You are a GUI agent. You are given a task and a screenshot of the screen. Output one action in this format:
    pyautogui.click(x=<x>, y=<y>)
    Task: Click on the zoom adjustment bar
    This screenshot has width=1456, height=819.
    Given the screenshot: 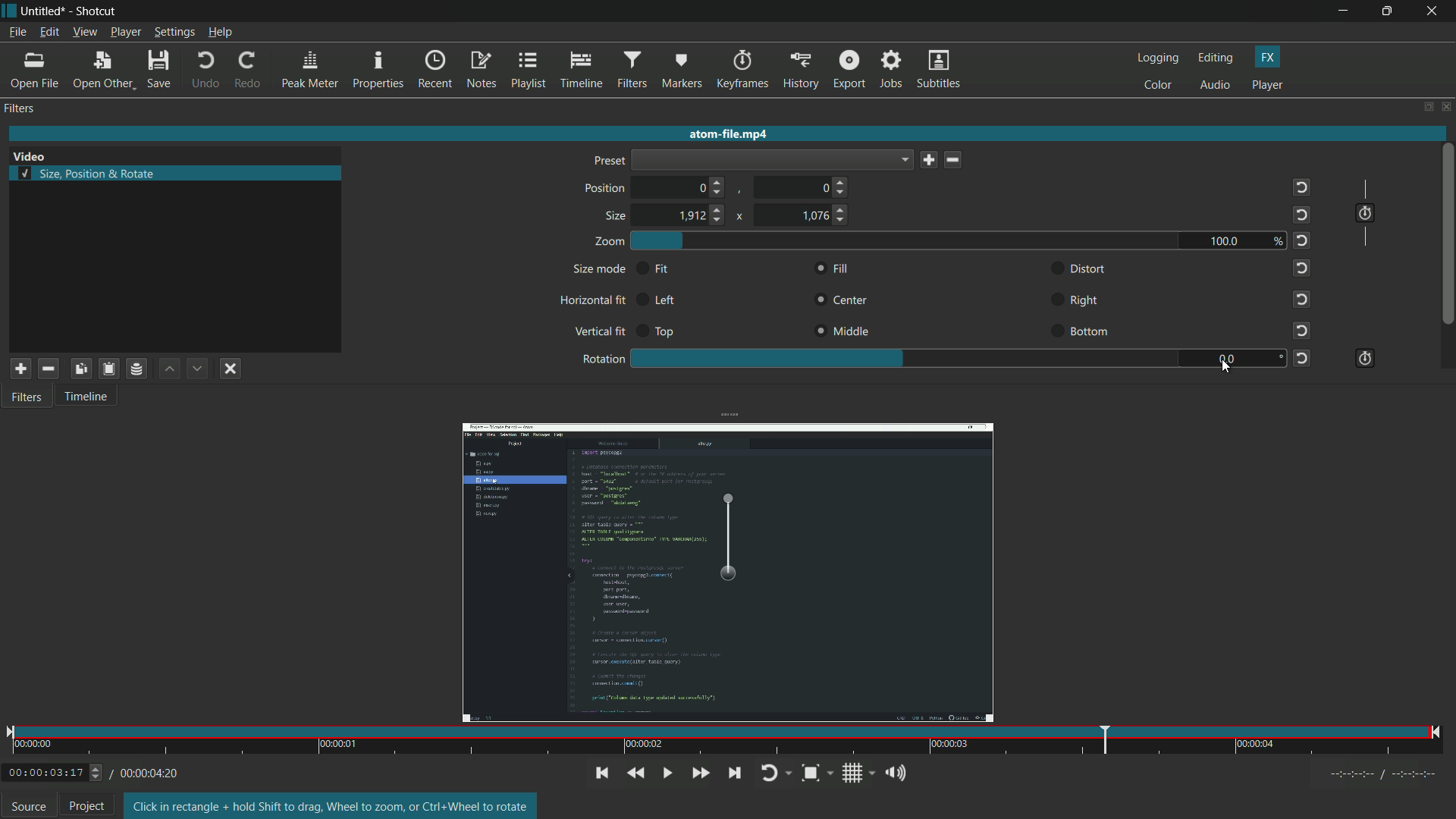 What is the action you would take?
    pyautogui.click(x=906, y=240)
    